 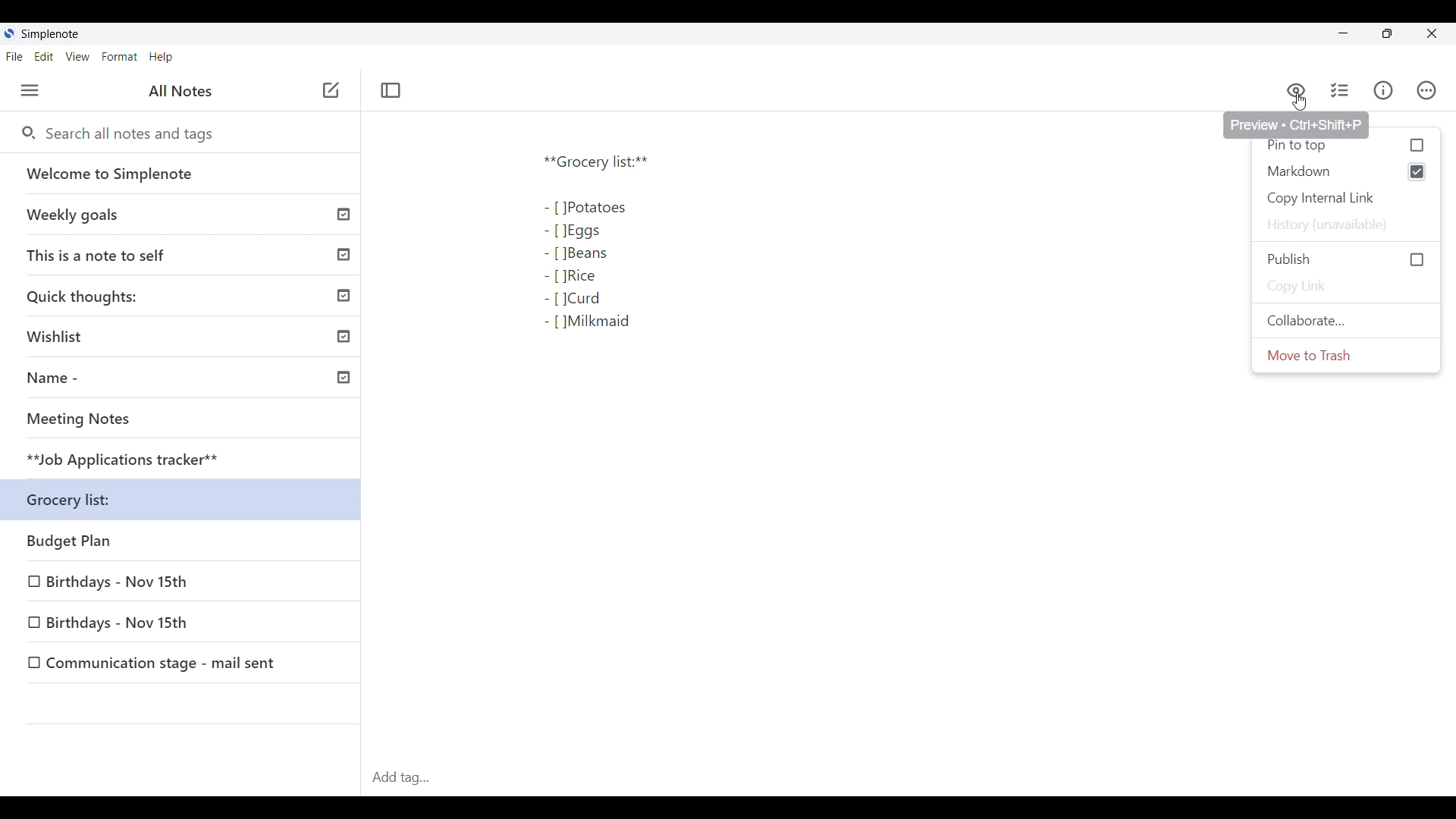 What do you see at coordinates (406, 777) in the screenshot?
I see `Add tag...` at bounding box center [406, 777].